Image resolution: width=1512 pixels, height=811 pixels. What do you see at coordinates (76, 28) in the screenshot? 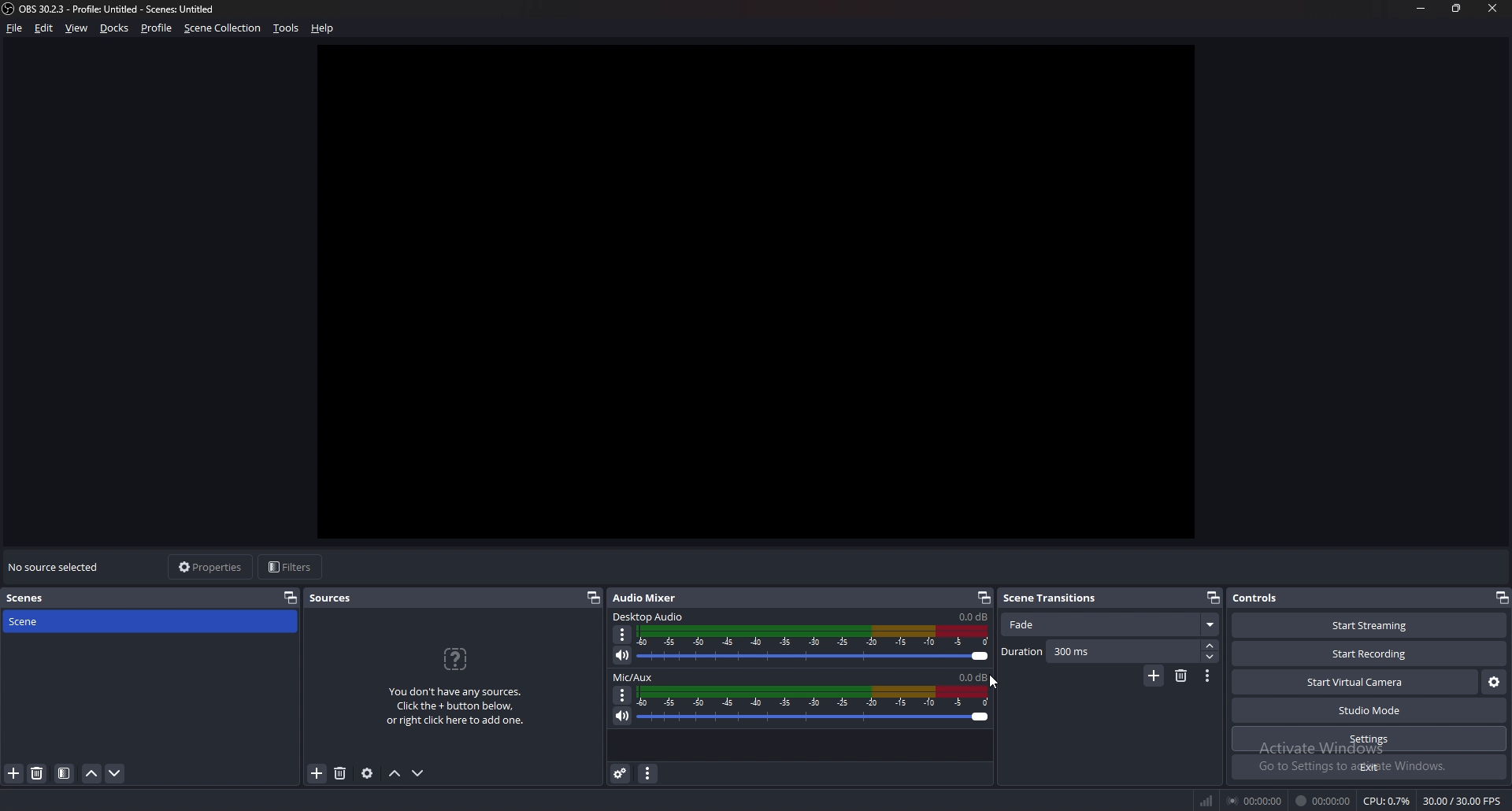
I see `view` at bounding box center [76, 28].